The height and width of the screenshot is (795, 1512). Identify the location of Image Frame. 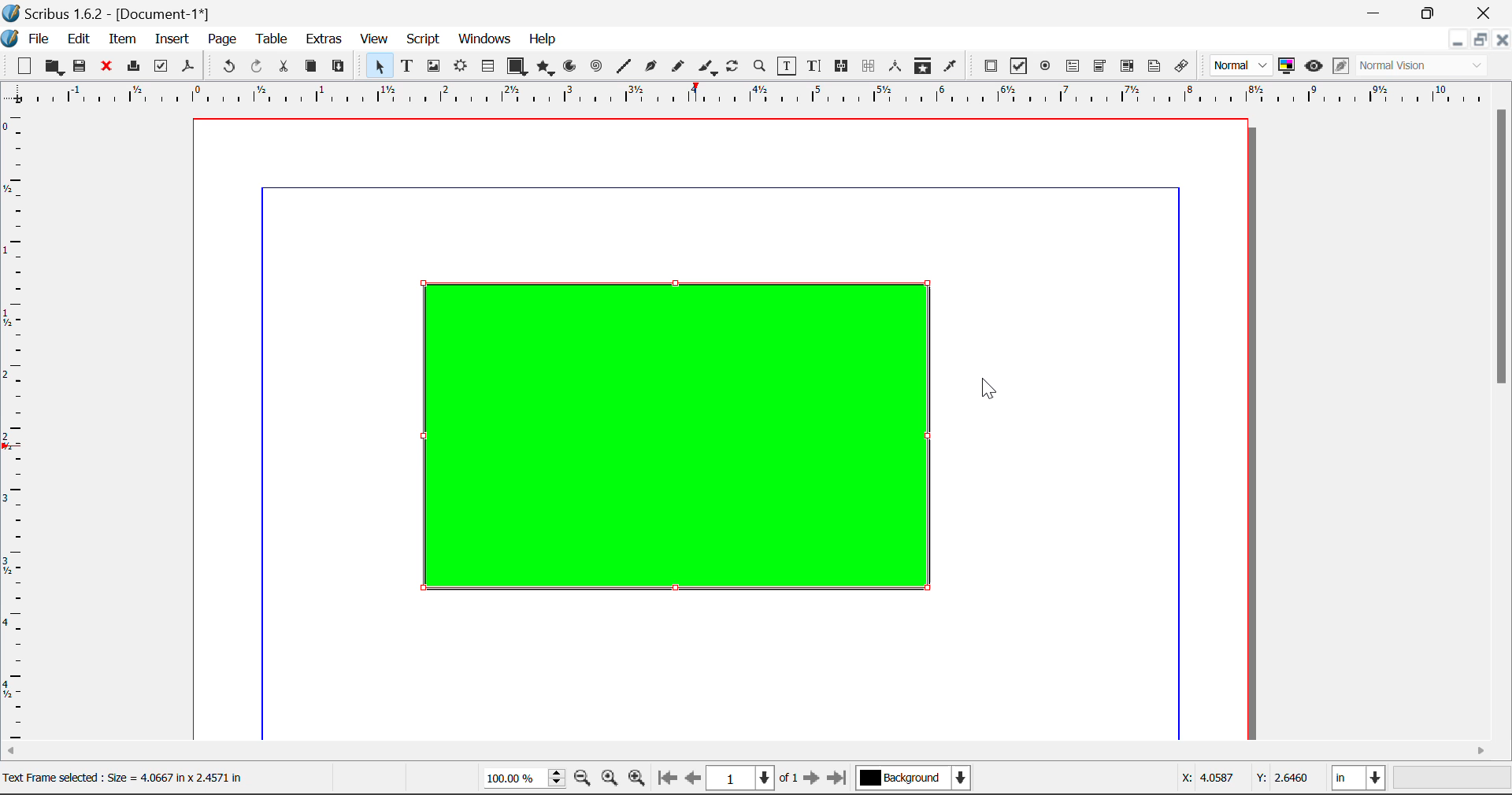
(433, 66).